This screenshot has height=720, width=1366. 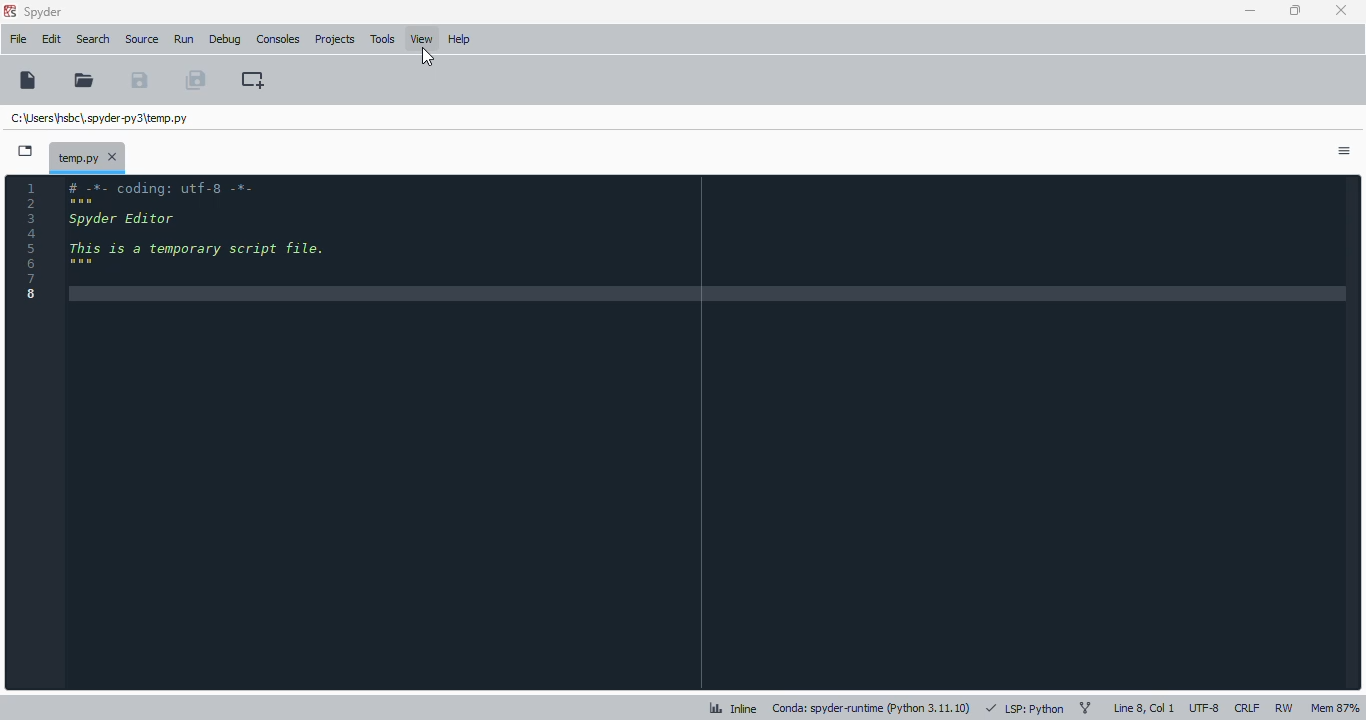 I want to click on temporary file, so click(x=87, y=156).